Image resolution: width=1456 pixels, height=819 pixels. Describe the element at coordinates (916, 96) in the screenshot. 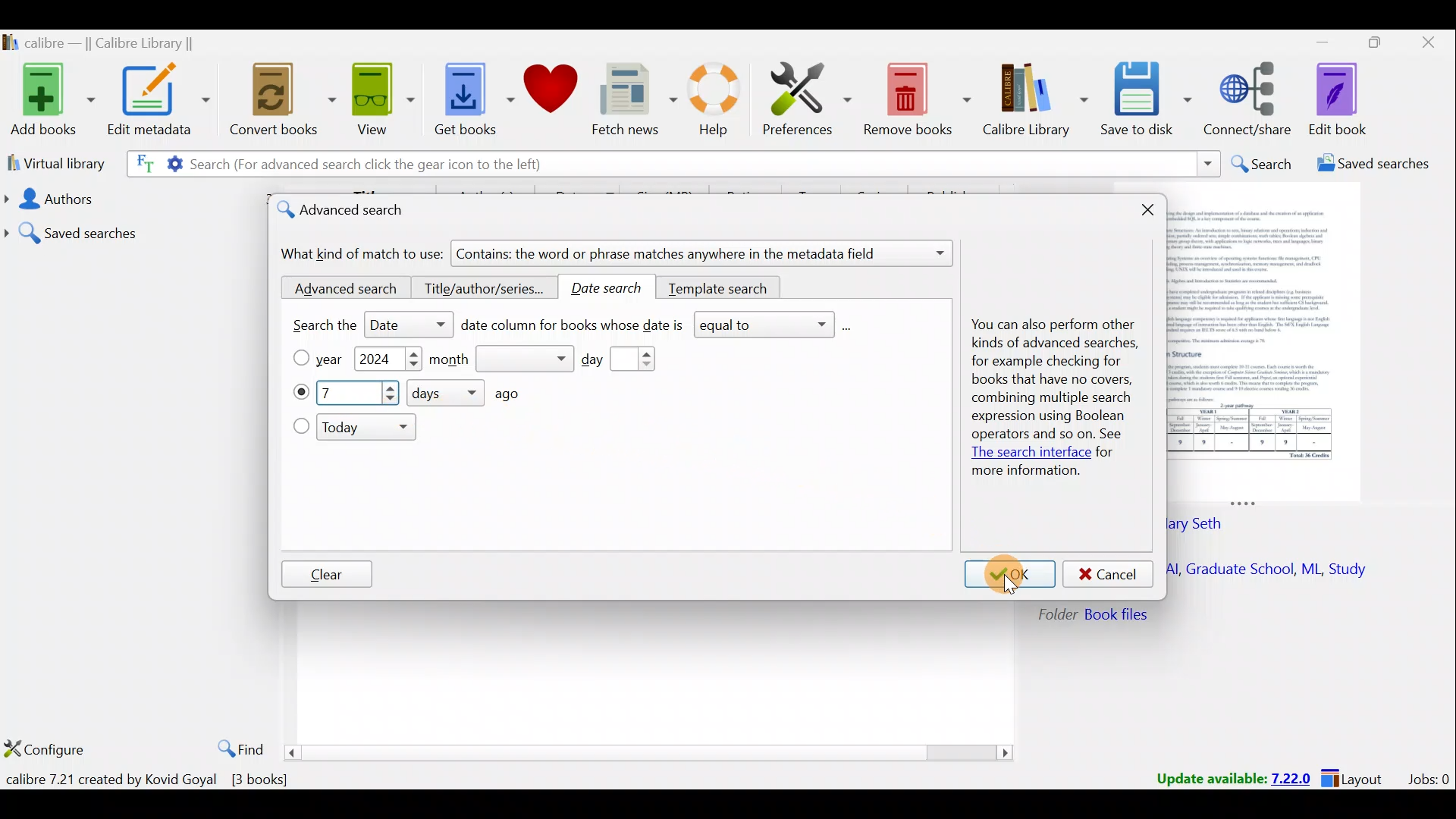

I see `Remove books` at that location.